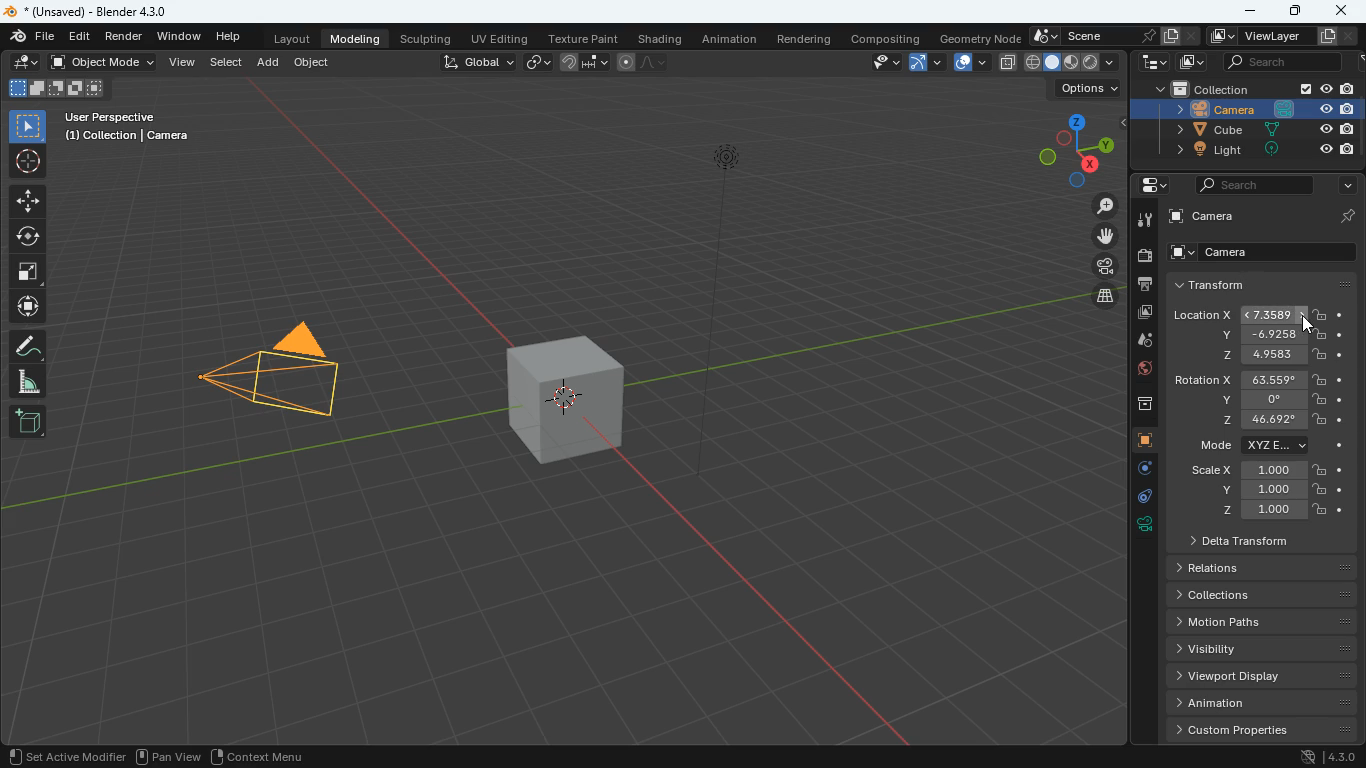 The width and height of the screenshot is (1366, 768). What do you see at coordinates (1103, 269) in the screenshot?
I see `film` at bounding box center [1103, 269].